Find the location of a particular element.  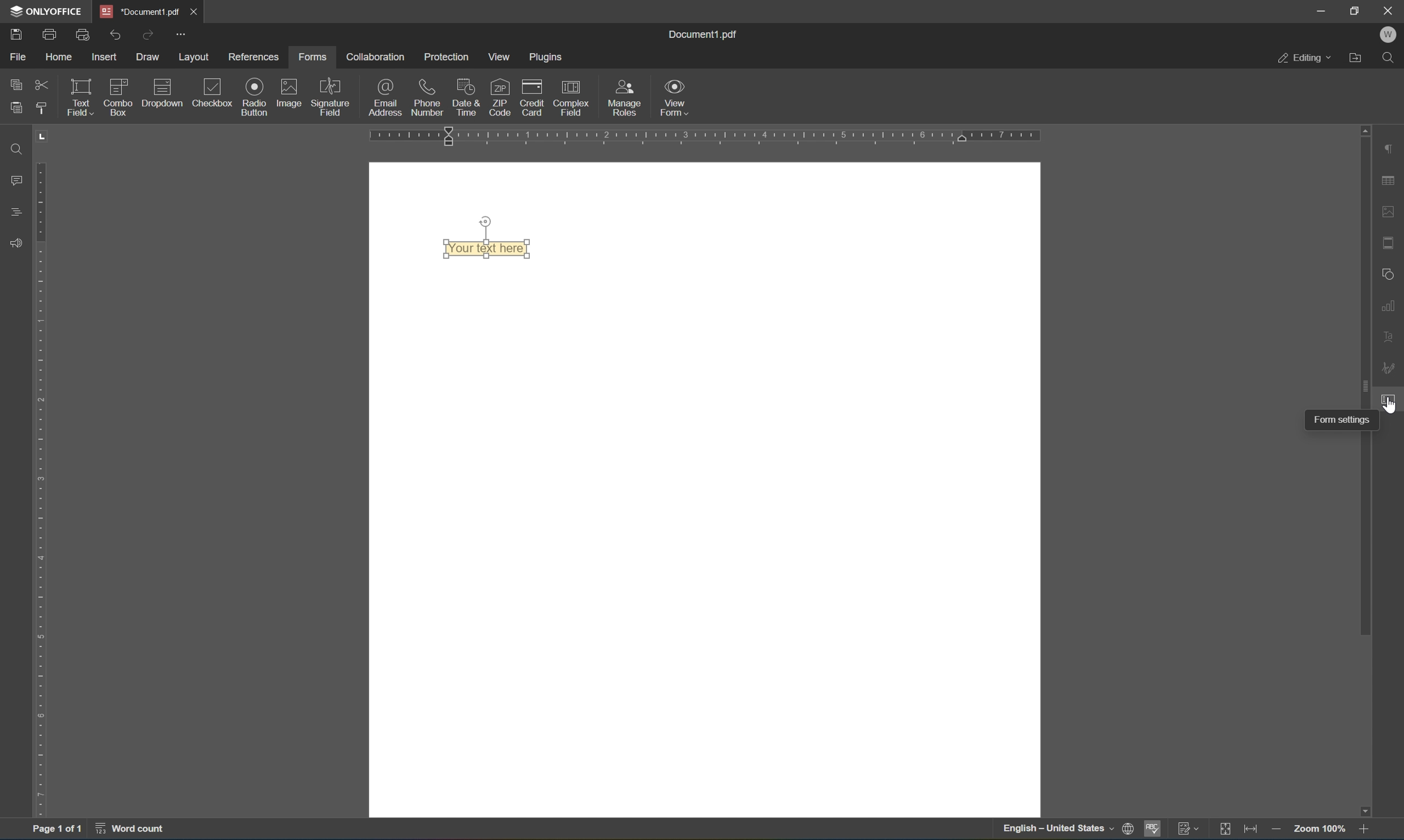

chart settings is located at coordinates (1391, 306).